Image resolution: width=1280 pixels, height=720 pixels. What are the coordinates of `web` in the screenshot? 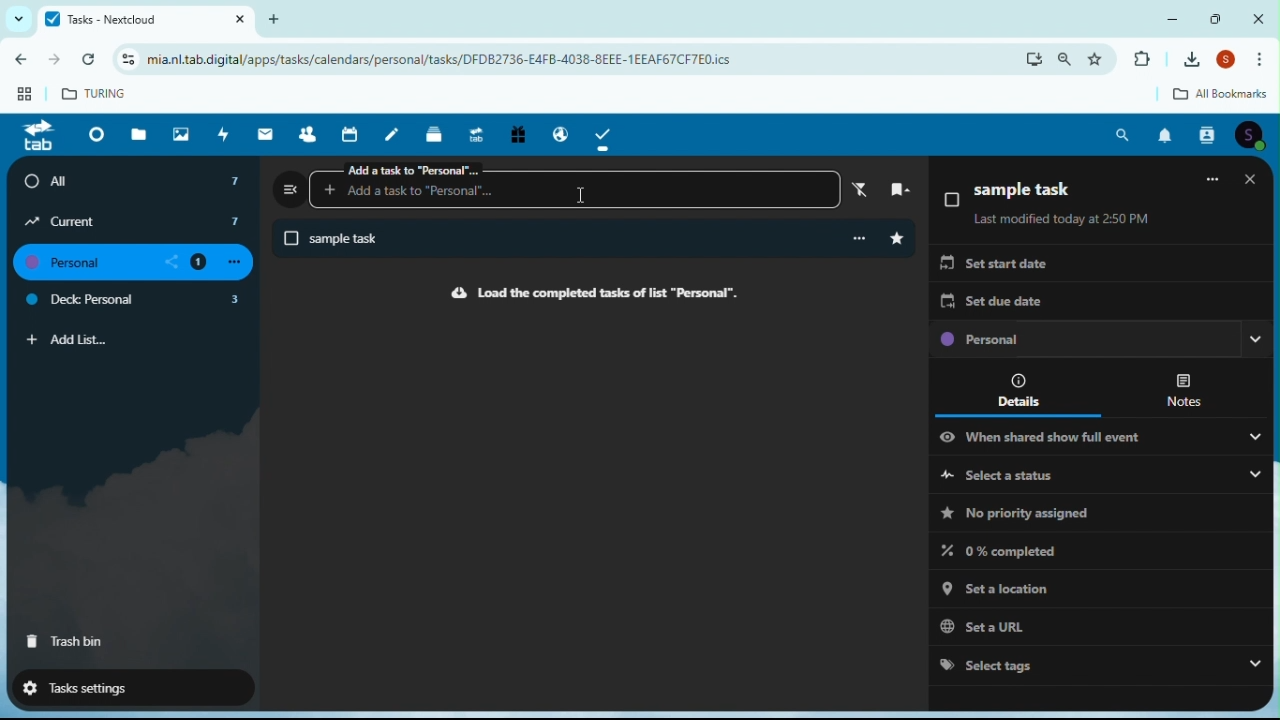 It's located at (21, 98).